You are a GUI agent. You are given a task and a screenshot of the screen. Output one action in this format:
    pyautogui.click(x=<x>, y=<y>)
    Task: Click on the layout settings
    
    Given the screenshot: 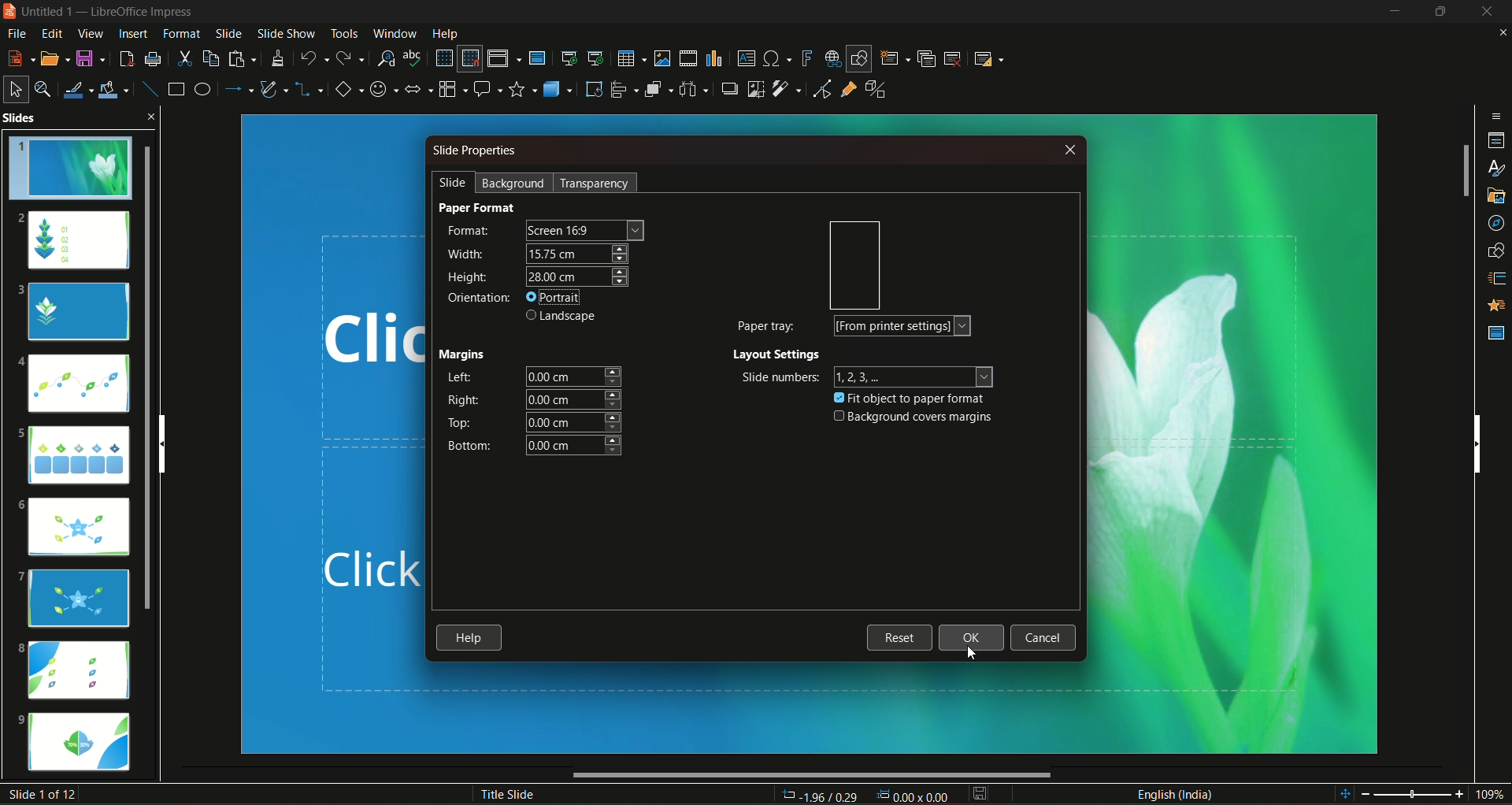 What is the action you would take?
    pyautogui.click(x=778, y=355)
    